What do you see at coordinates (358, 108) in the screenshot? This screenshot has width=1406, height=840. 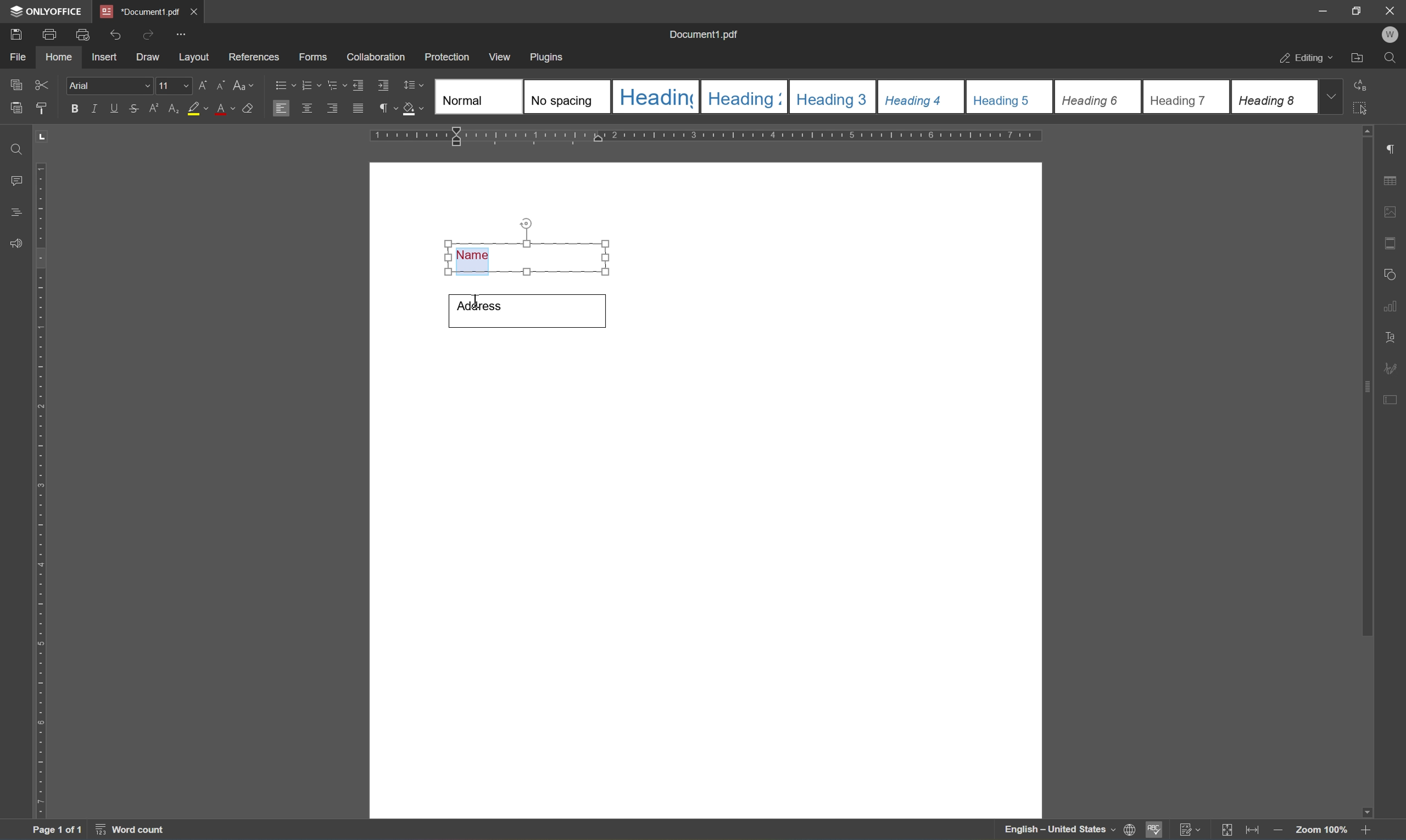 I see `justified` at bounding box center [358, 108].